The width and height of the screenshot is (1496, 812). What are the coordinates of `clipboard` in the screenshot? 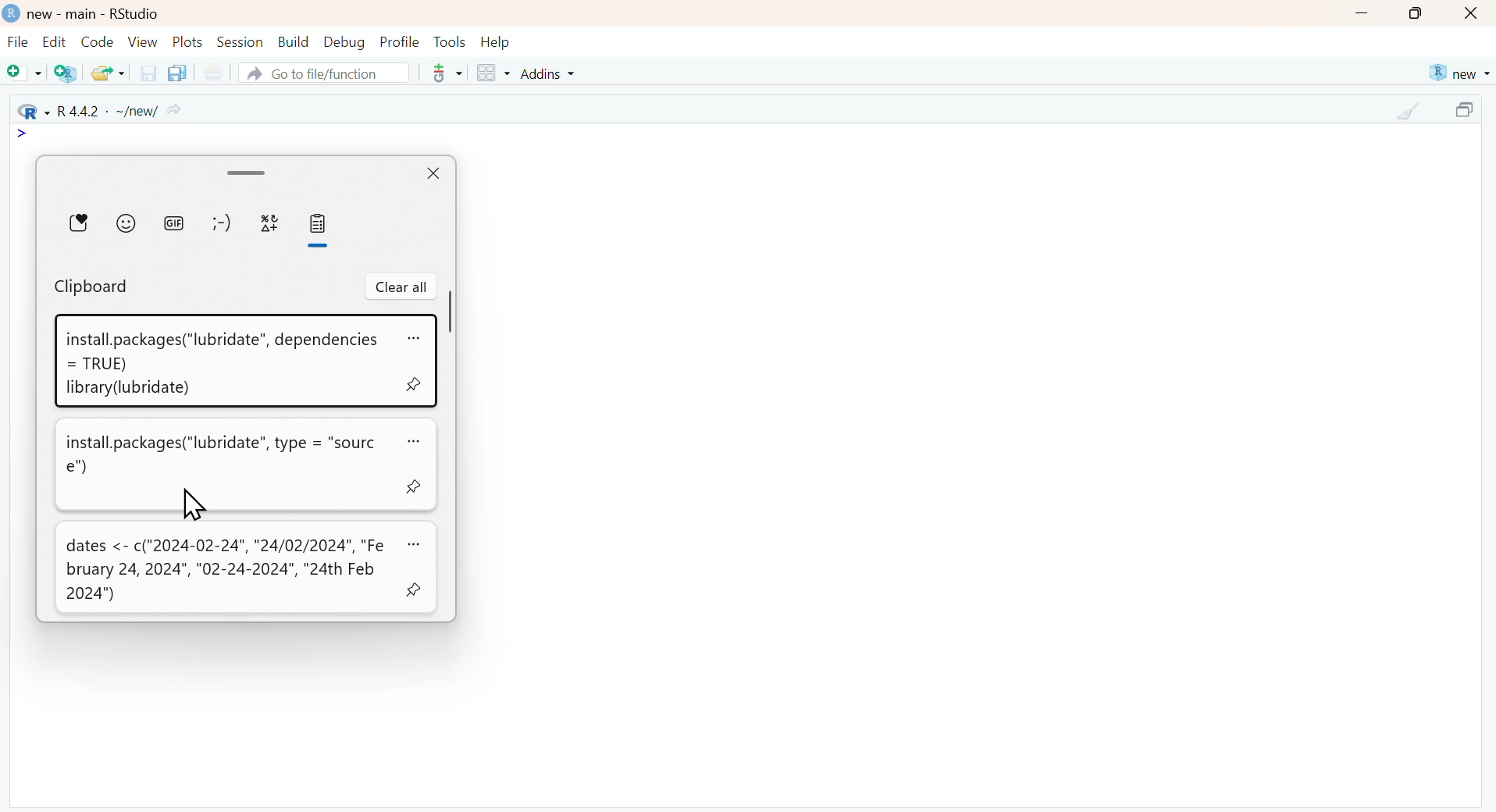 It's located at (91, 287).